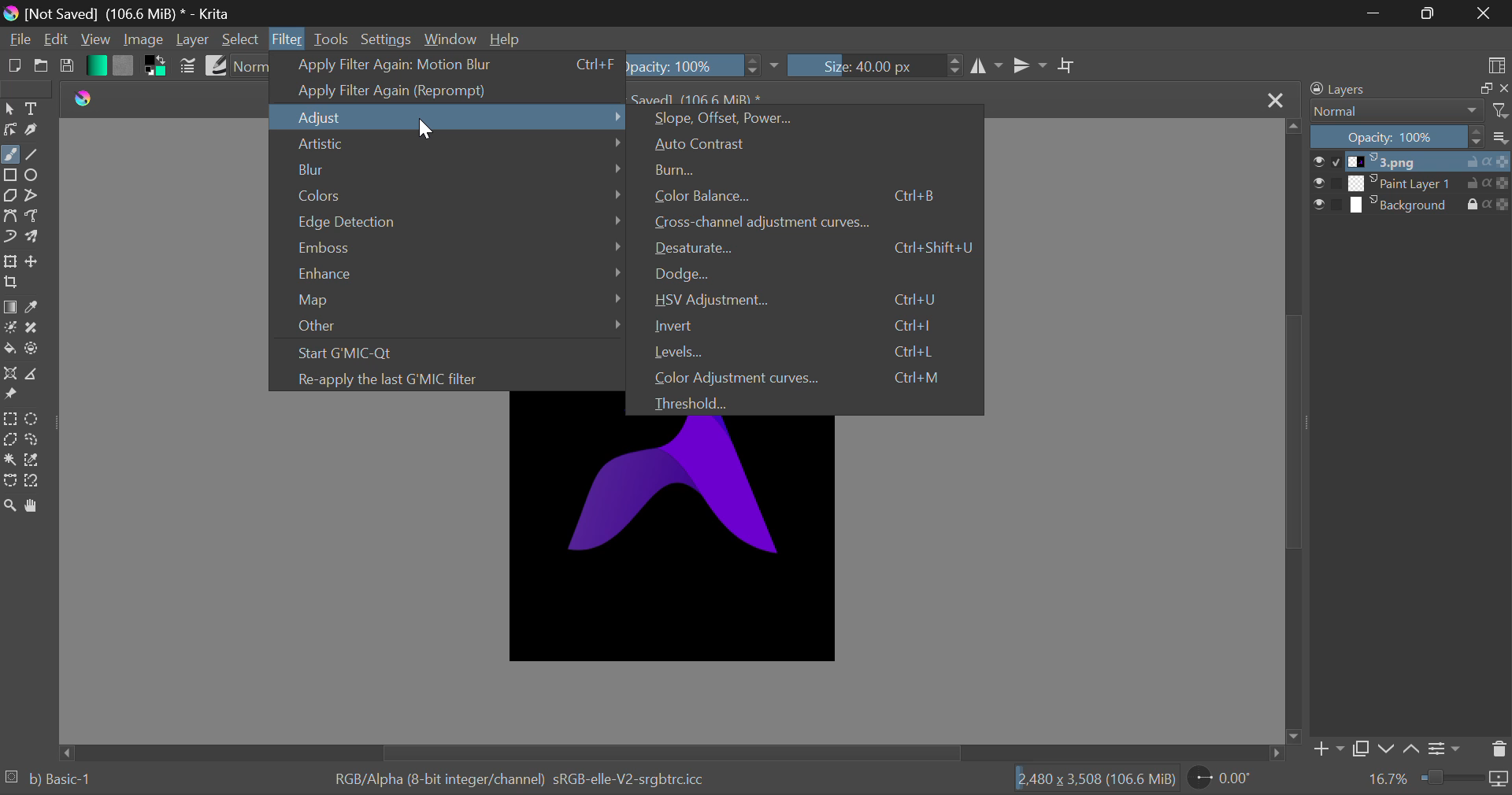  I want to click on Enclose and Fill, so click(33, 349).